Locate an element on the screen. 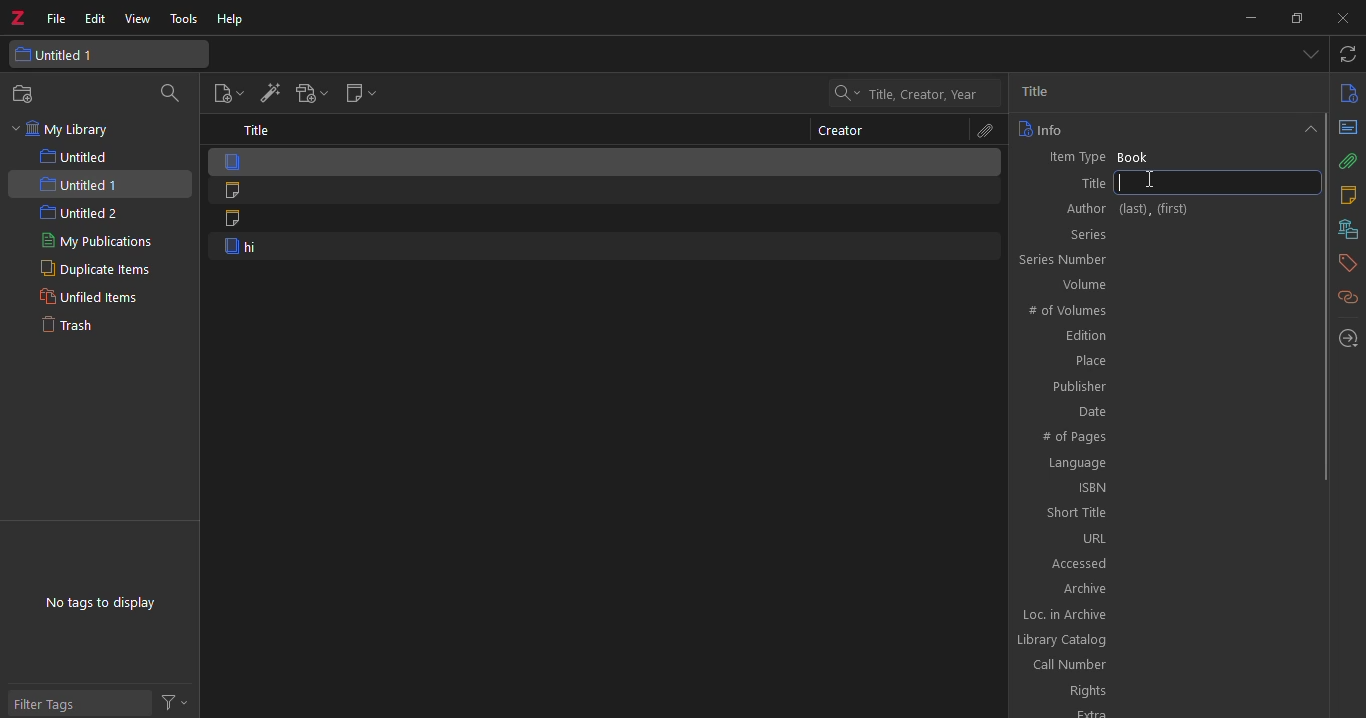 This screenshot has height=718, width=1366. search option drop down is located at coordinates (844, 93).